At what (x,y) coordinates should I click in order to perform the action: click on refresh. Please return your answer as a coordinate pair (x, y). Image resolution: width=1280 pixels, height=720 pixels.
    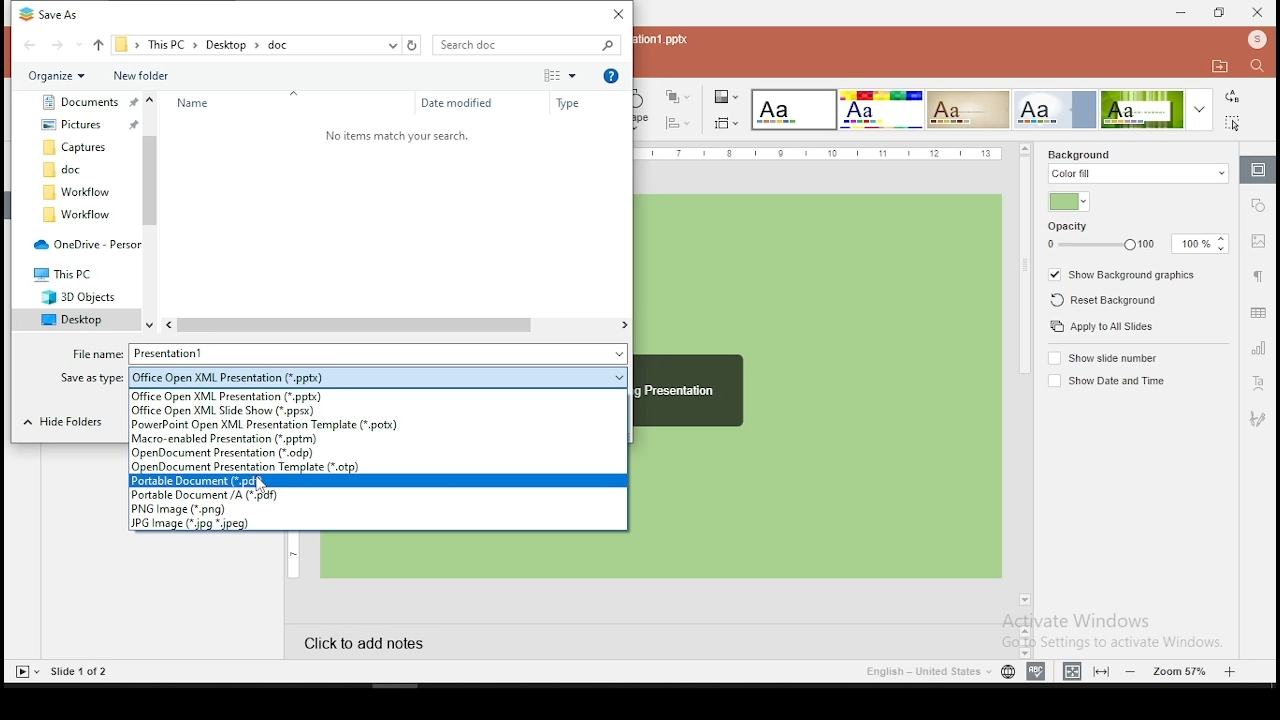
    Looking at the image, I should click on (414, 45).